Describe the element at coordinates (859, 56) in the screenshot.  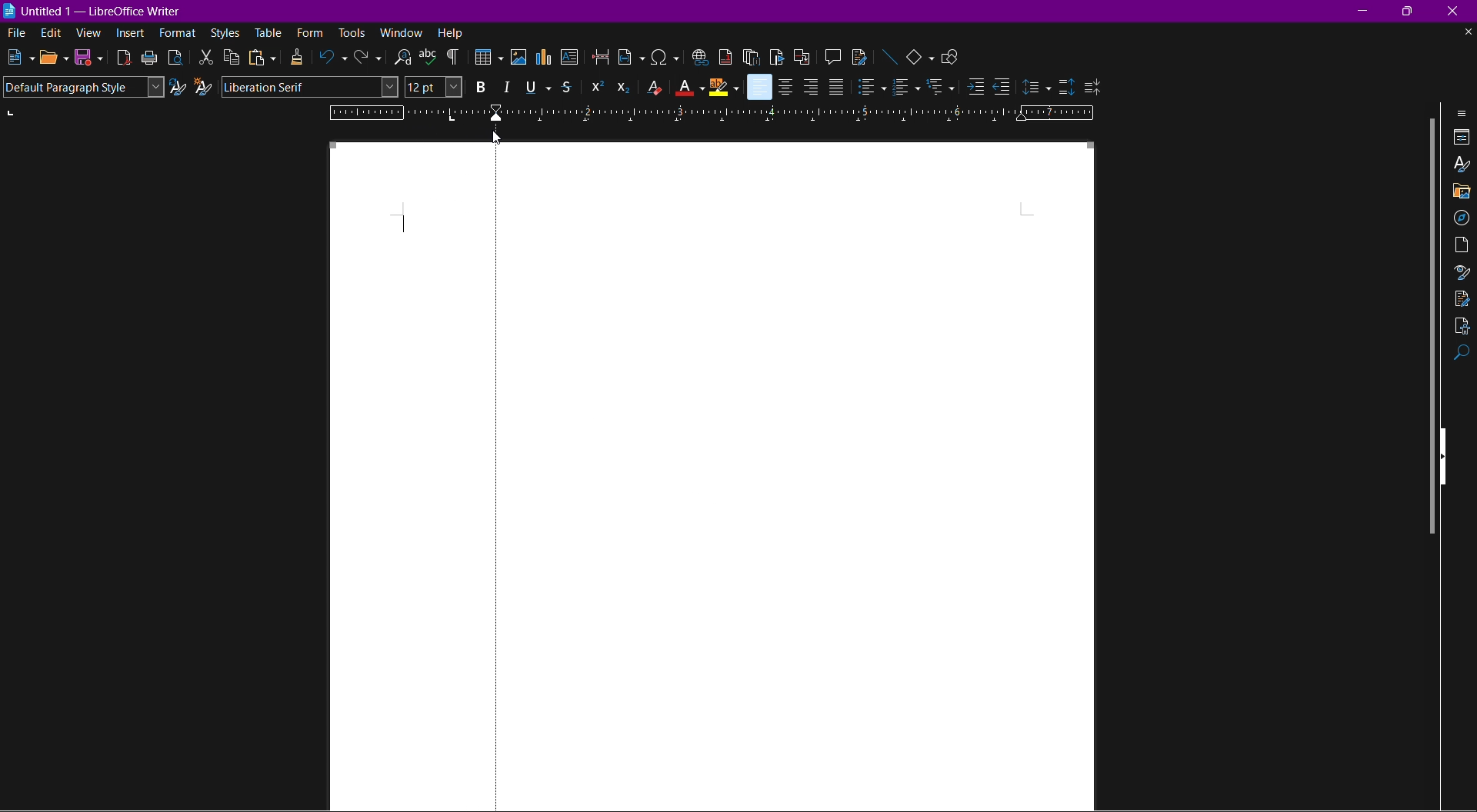
I see `Show Track Changes Functions` at that location.